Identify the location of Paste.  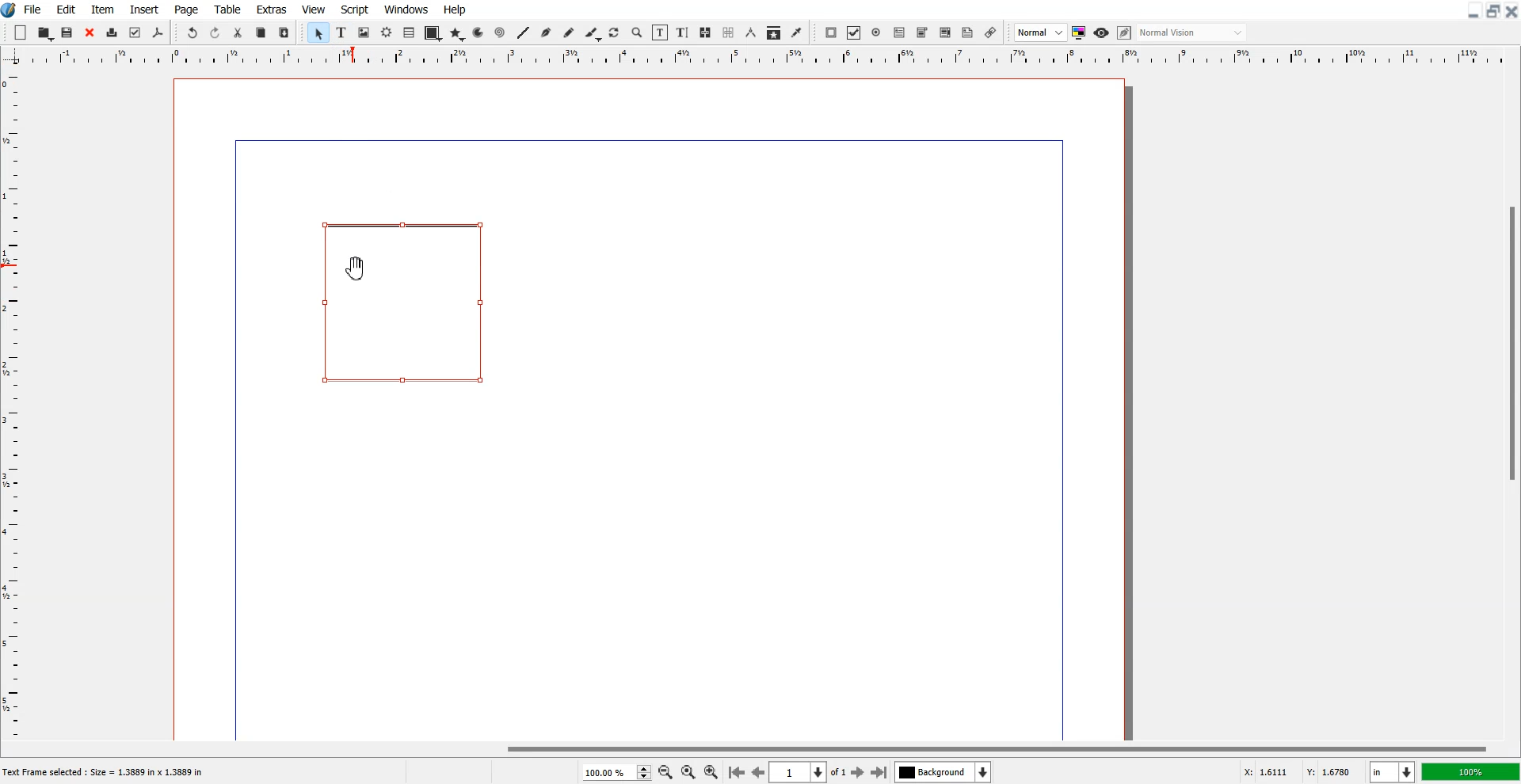
(284, 32).